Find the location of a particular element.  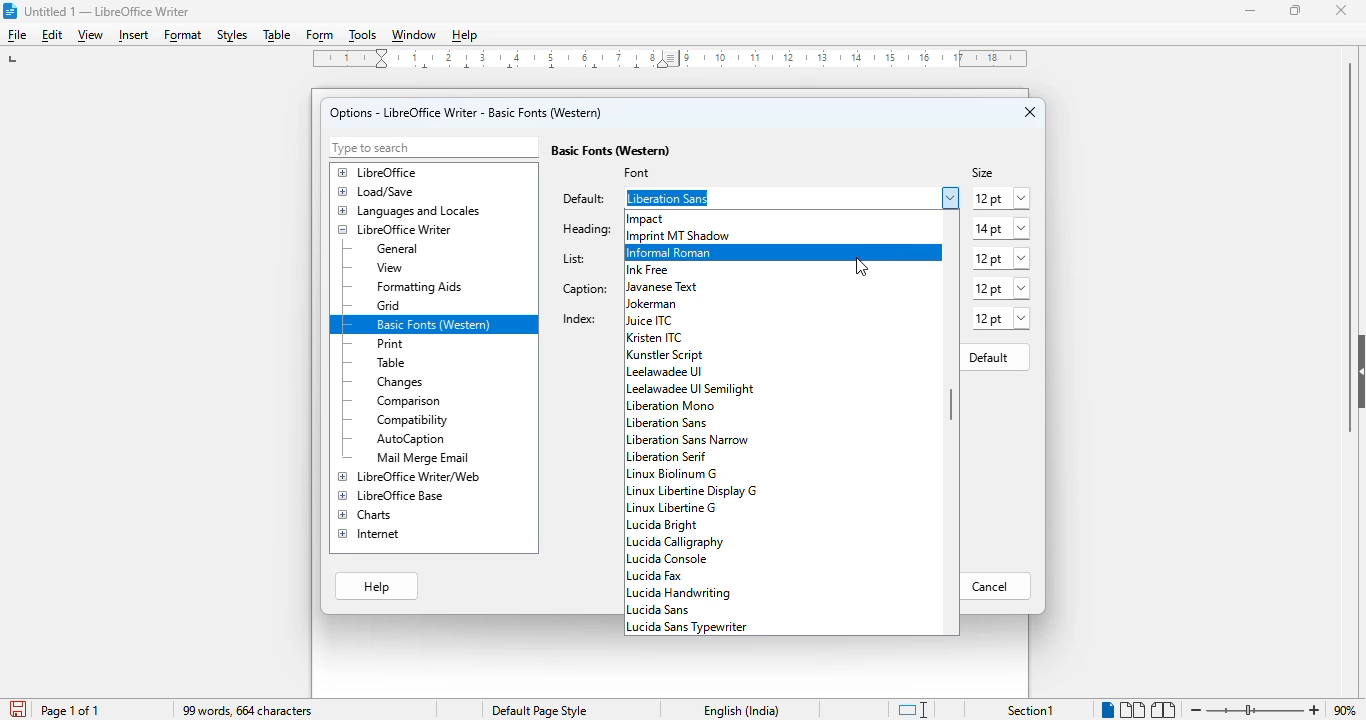

size is located at coordinates (984, 172).